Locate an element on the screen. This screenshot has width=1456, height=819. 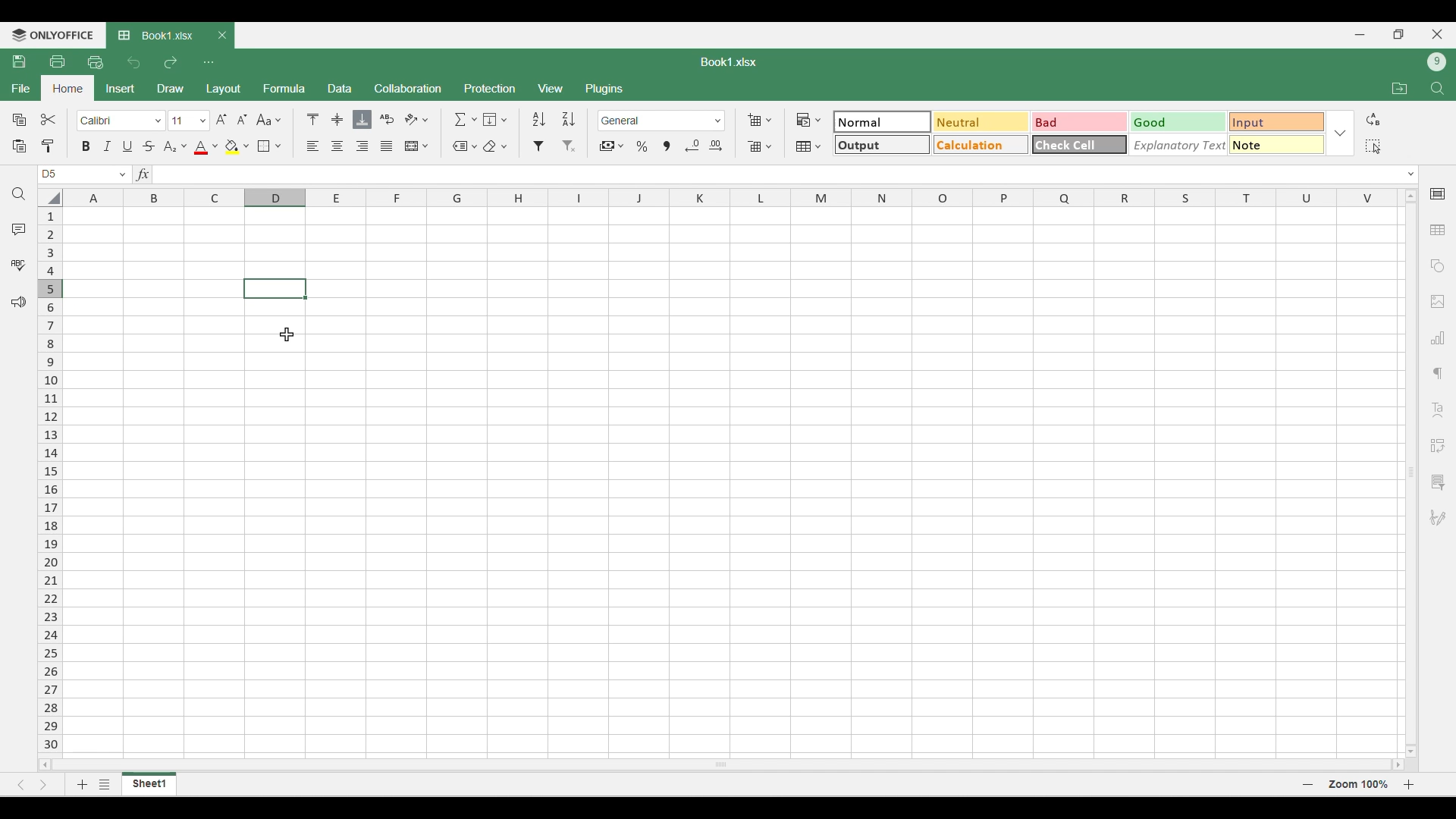
Home menu, highlighted is located at coordinates (67, 89).